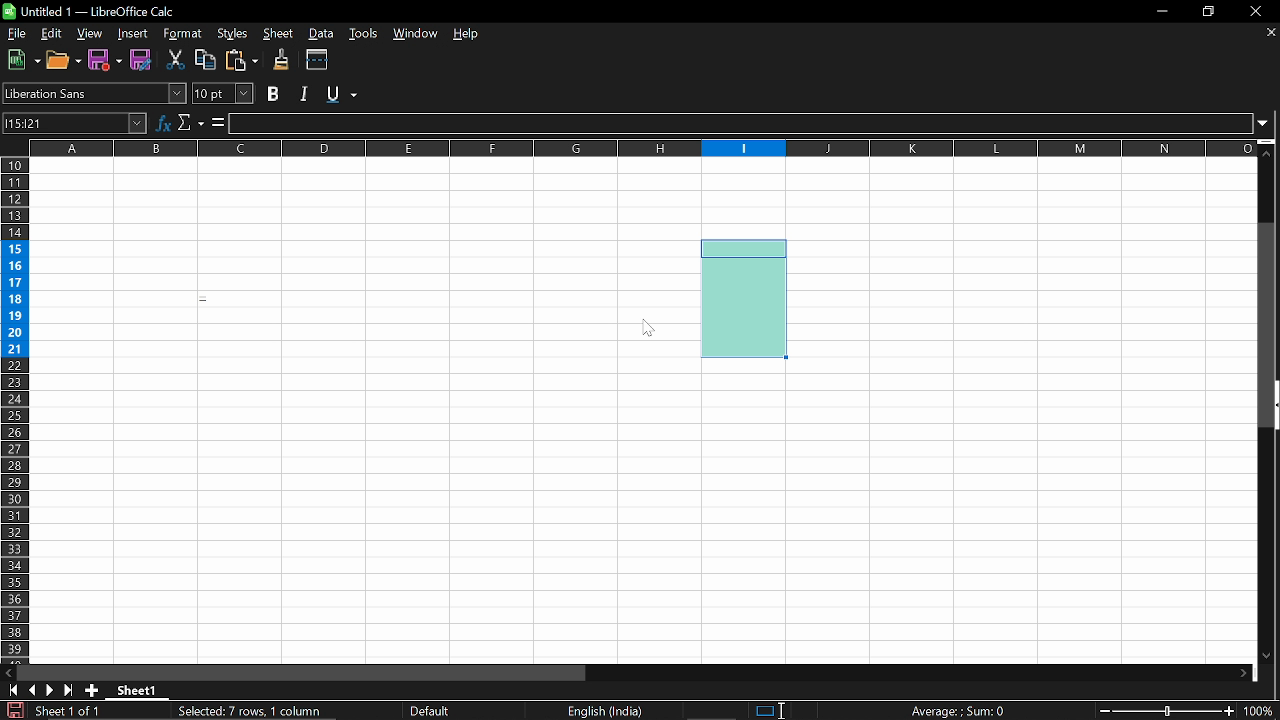 The height and width of the screenshot is (720, 1280). Describe the element at coordinates (8, 672) in the screenshot. I see `Move left` at that location.